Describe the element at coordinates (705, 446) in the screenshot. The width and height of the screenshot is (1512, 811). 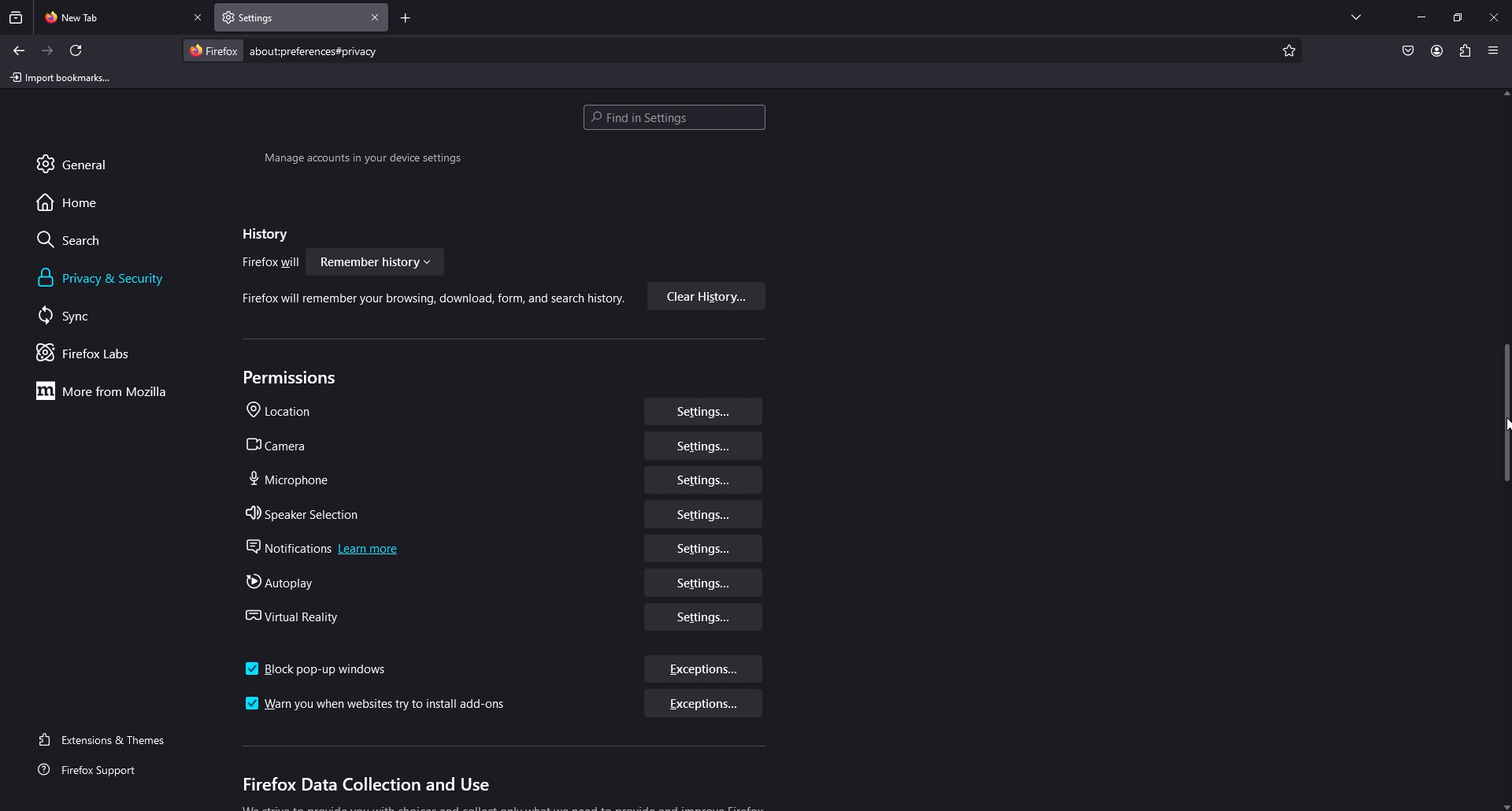
I see `settings` at that location.